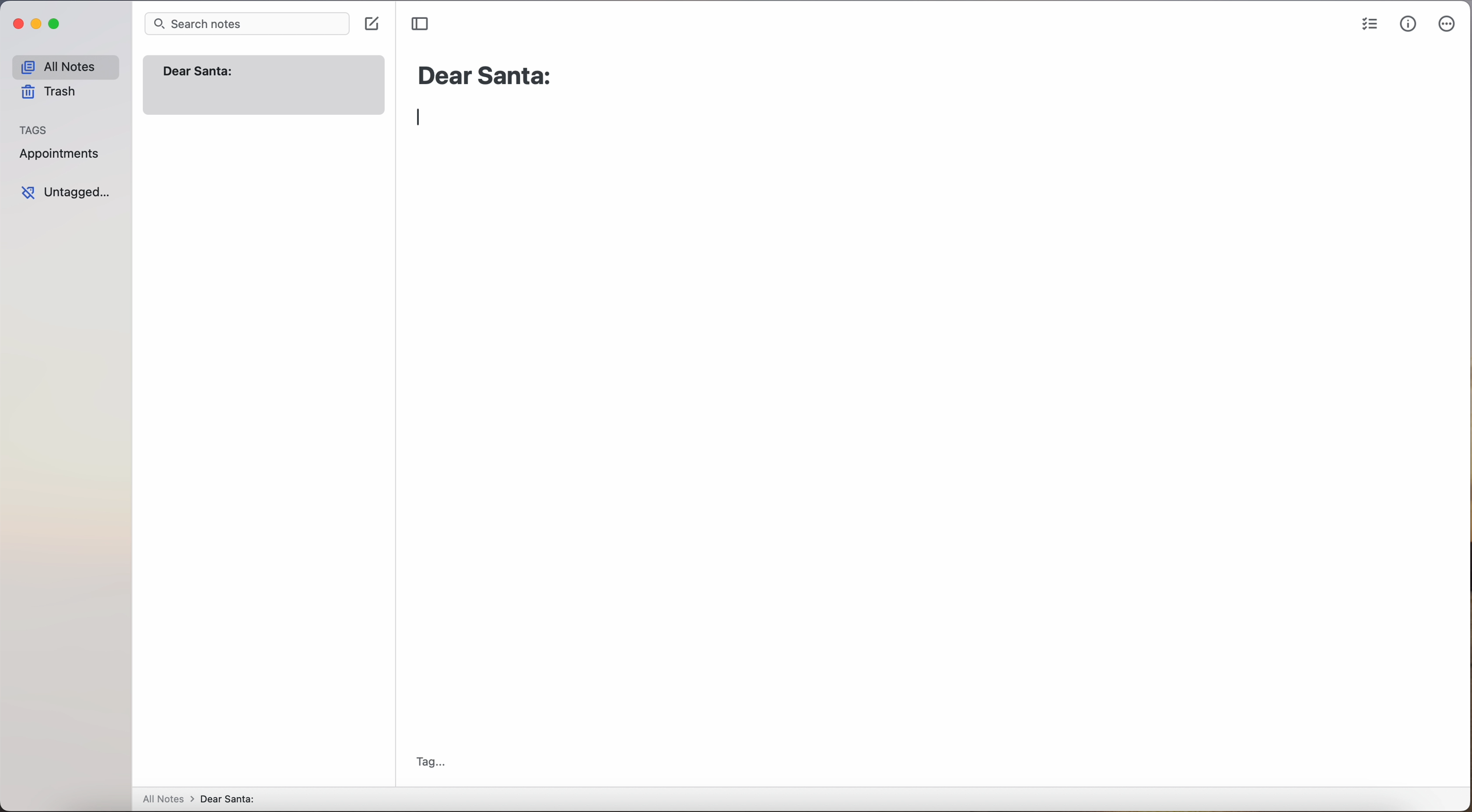  I want to click on maximize app, so click(56, 23).